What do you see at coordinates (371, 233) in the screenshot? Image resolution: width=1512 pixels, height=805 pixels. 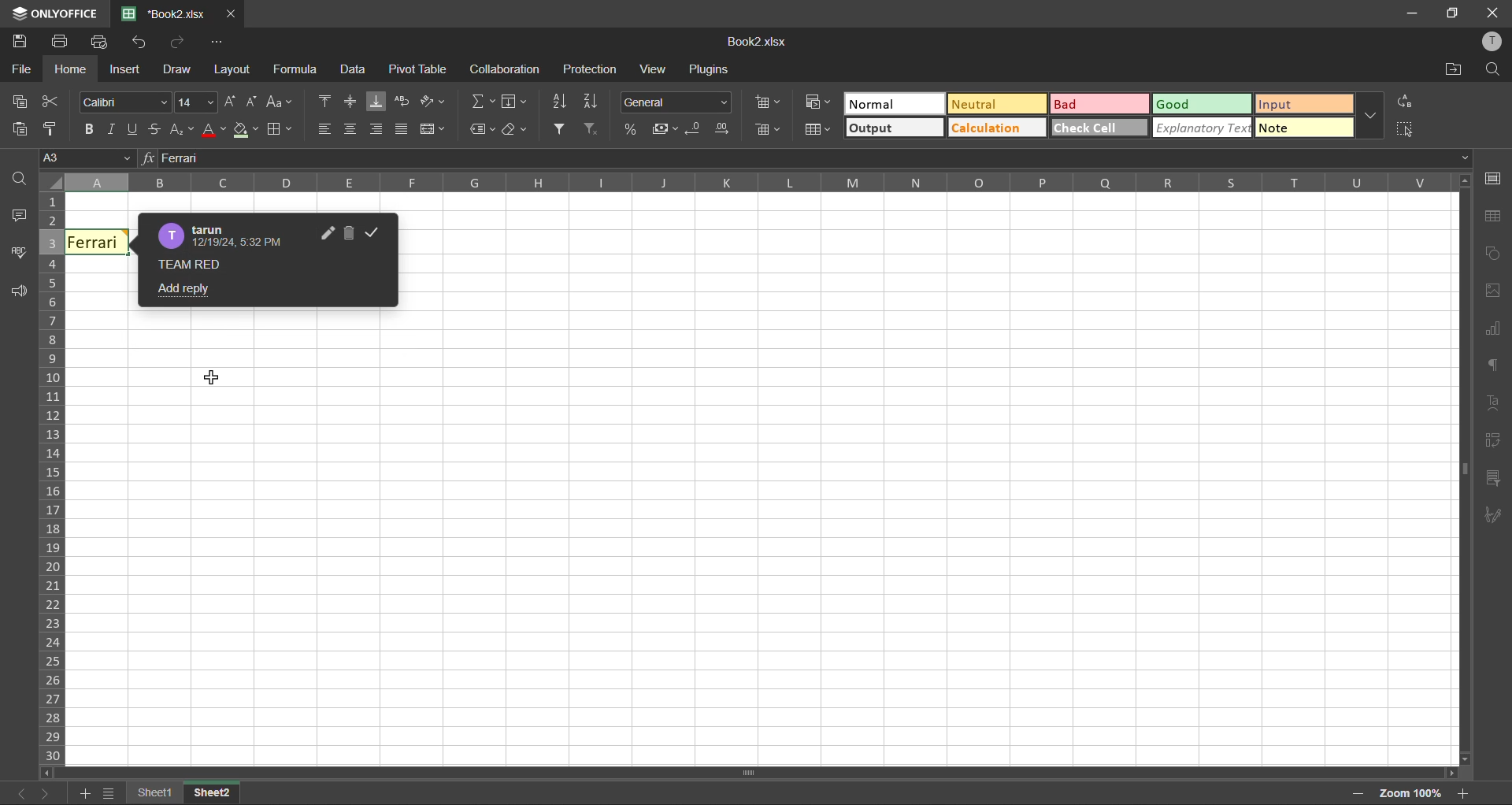 I see `mark as resolved` at bounding box center [371, 233].